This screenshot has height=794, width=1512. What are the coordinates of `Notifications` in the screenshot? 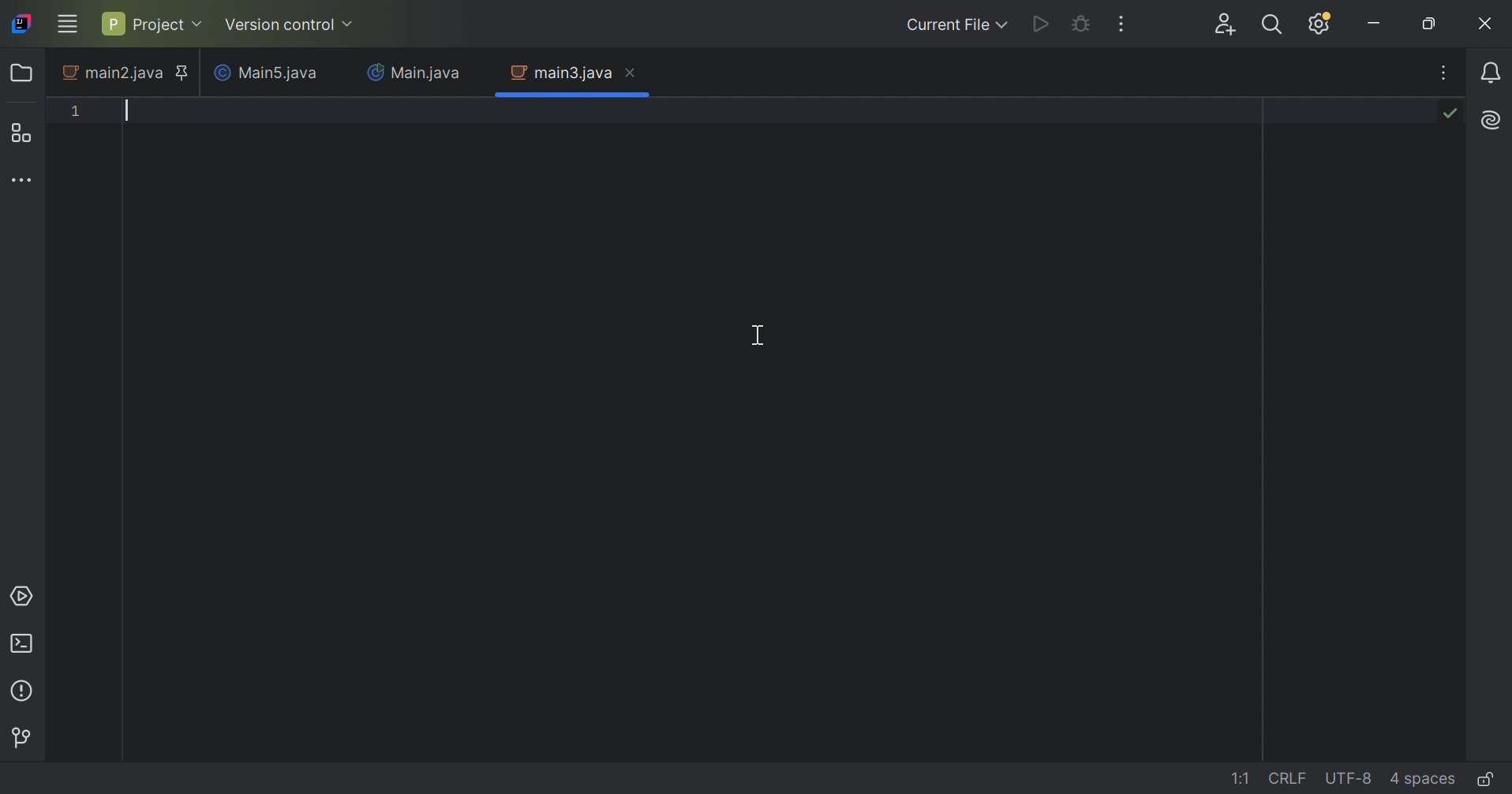 It's located at (1493, 73).